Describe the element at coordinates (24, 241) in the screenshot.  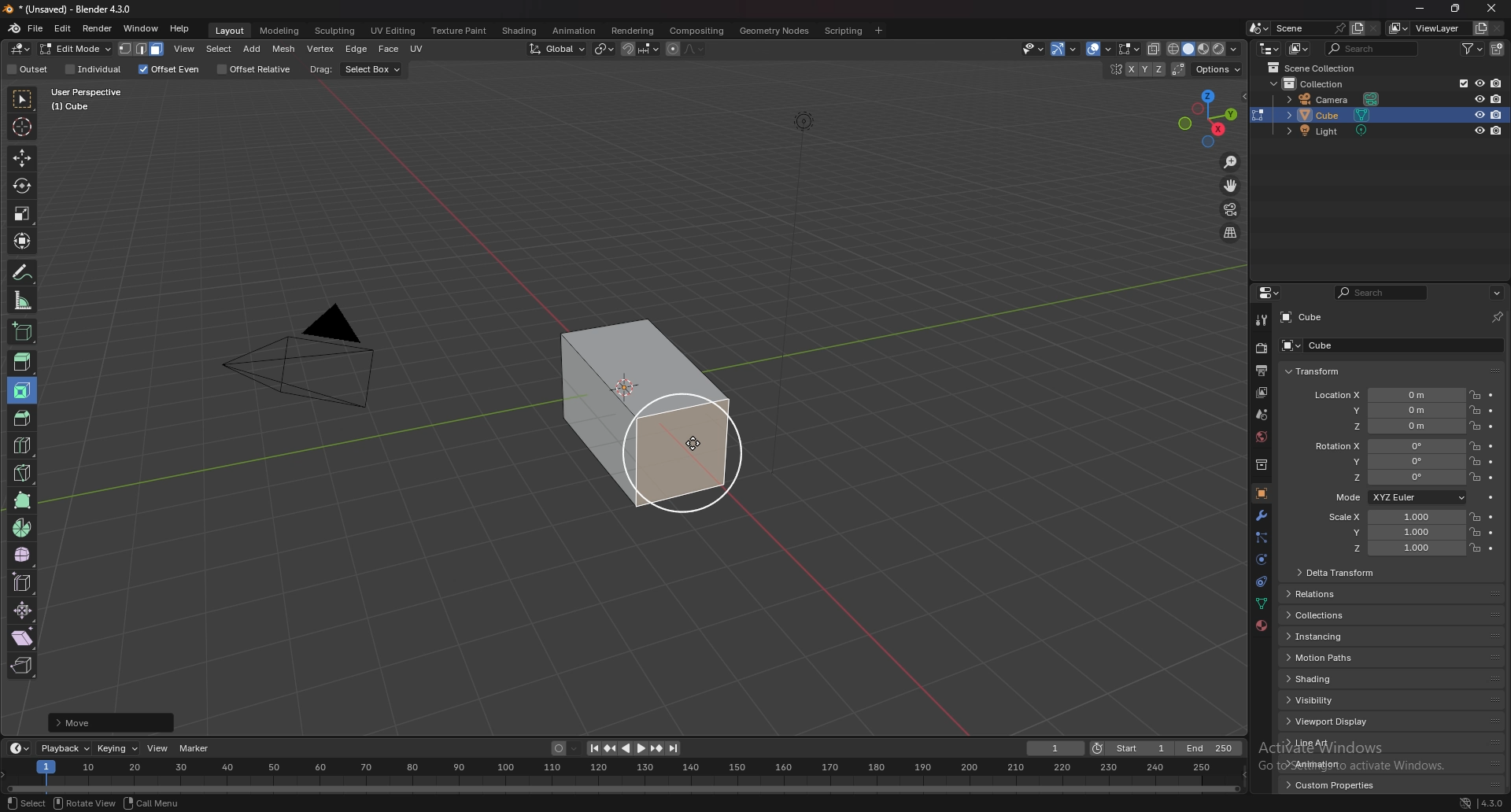
I see `transform` at that location.